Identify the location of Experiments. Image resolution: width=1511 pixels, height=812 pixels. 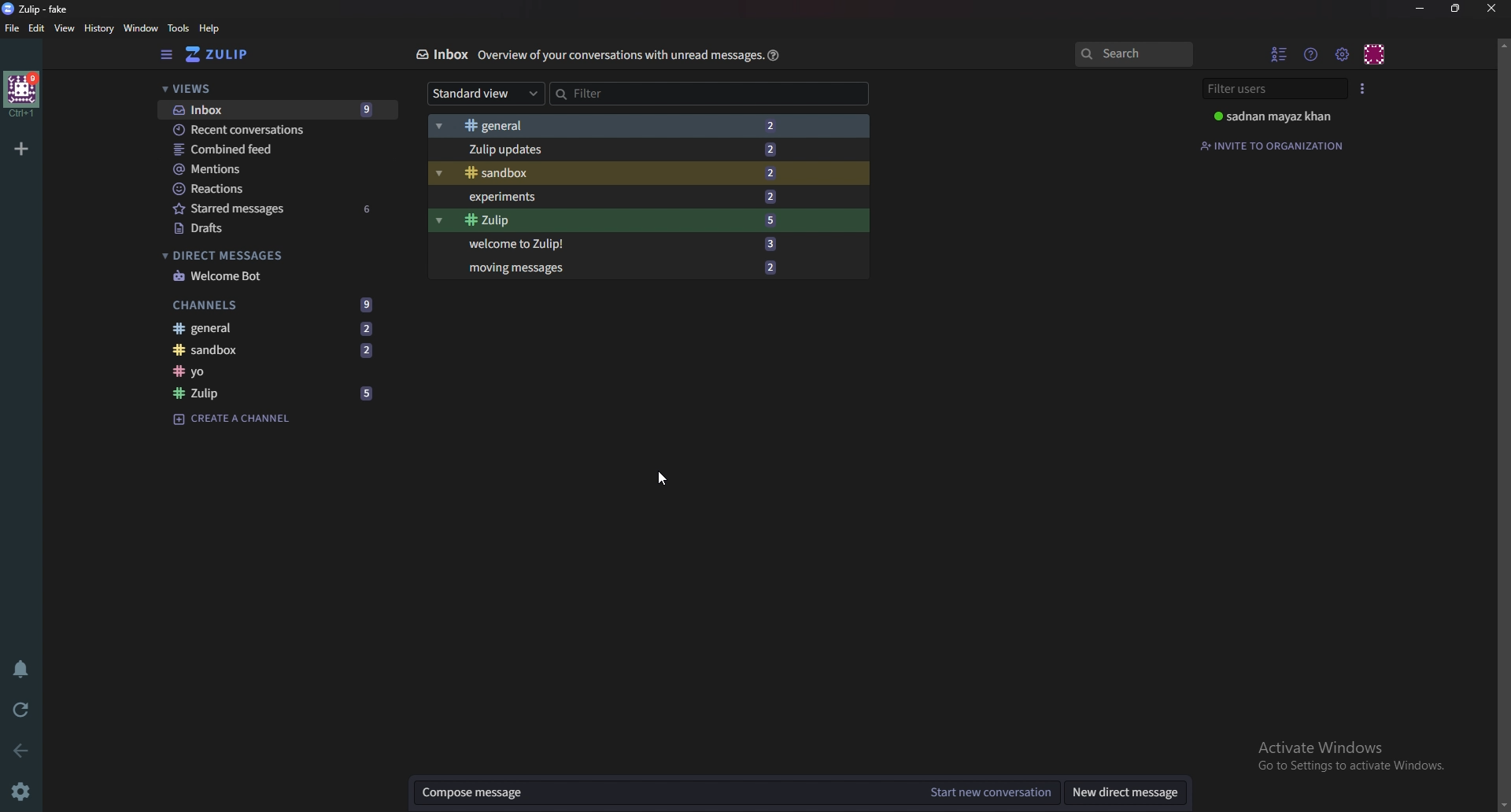
(623, 196).